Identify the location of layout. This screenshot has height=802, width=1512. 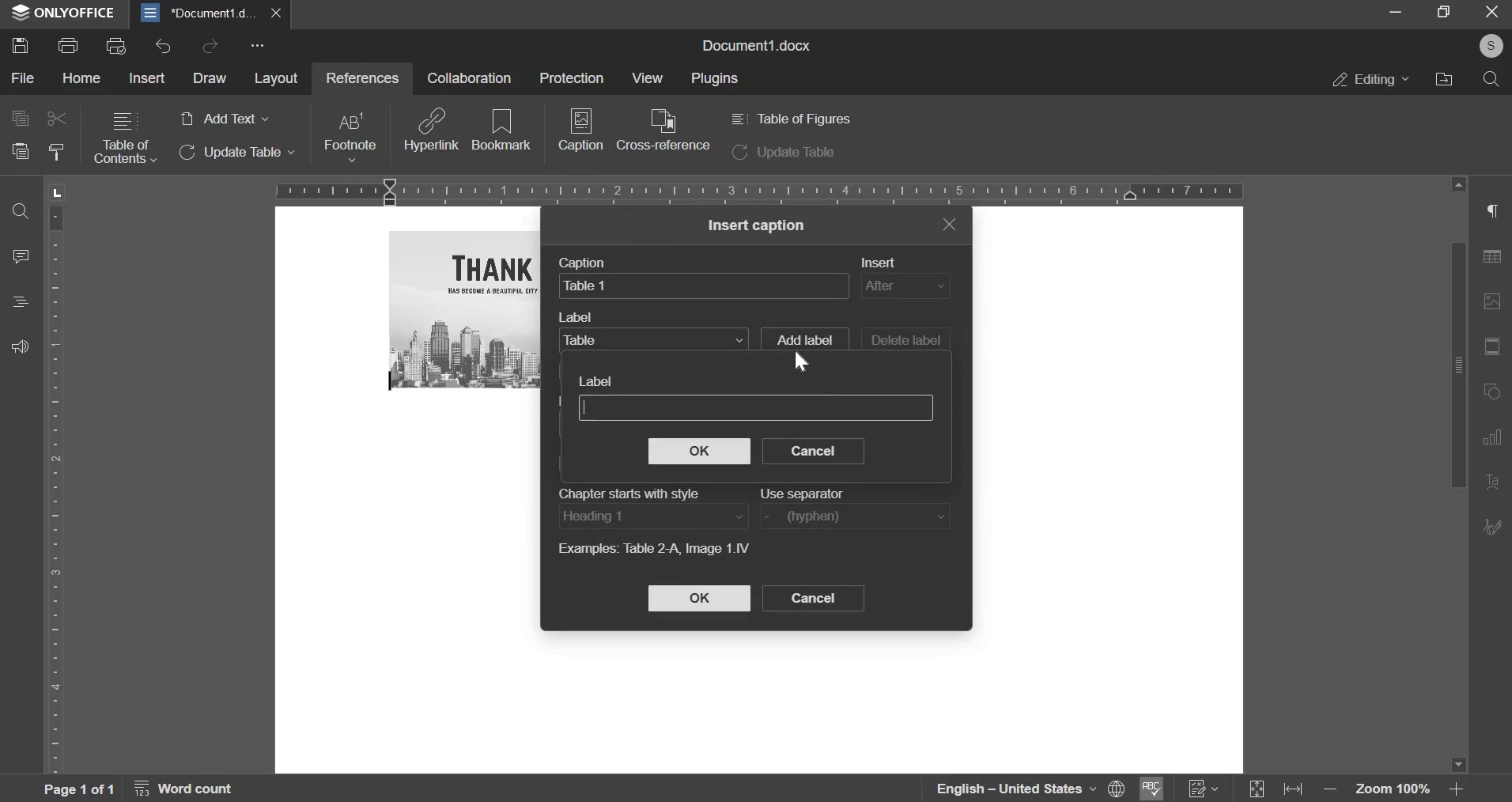
(276, 80).